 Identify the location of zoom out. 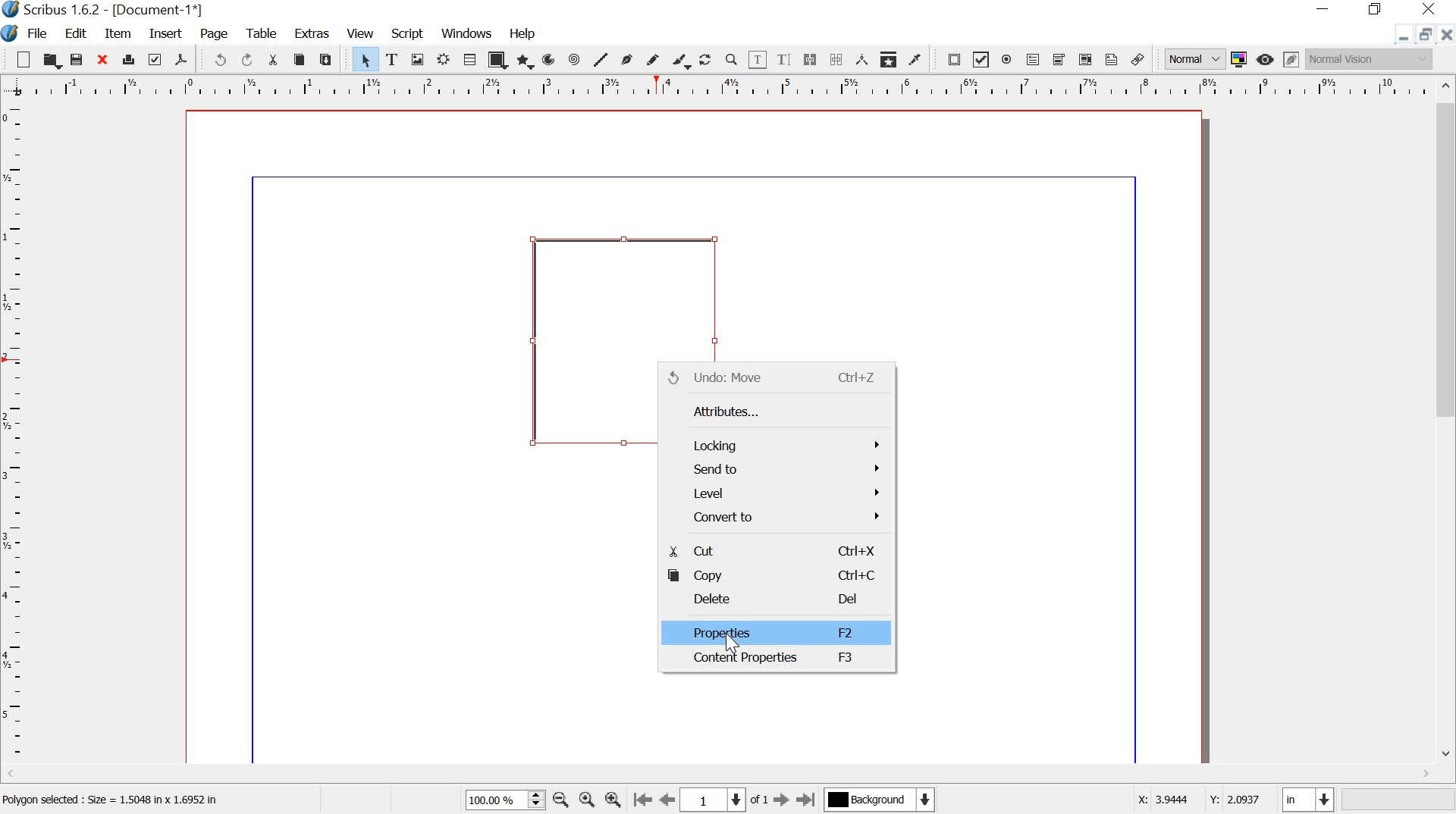
(560, 799).